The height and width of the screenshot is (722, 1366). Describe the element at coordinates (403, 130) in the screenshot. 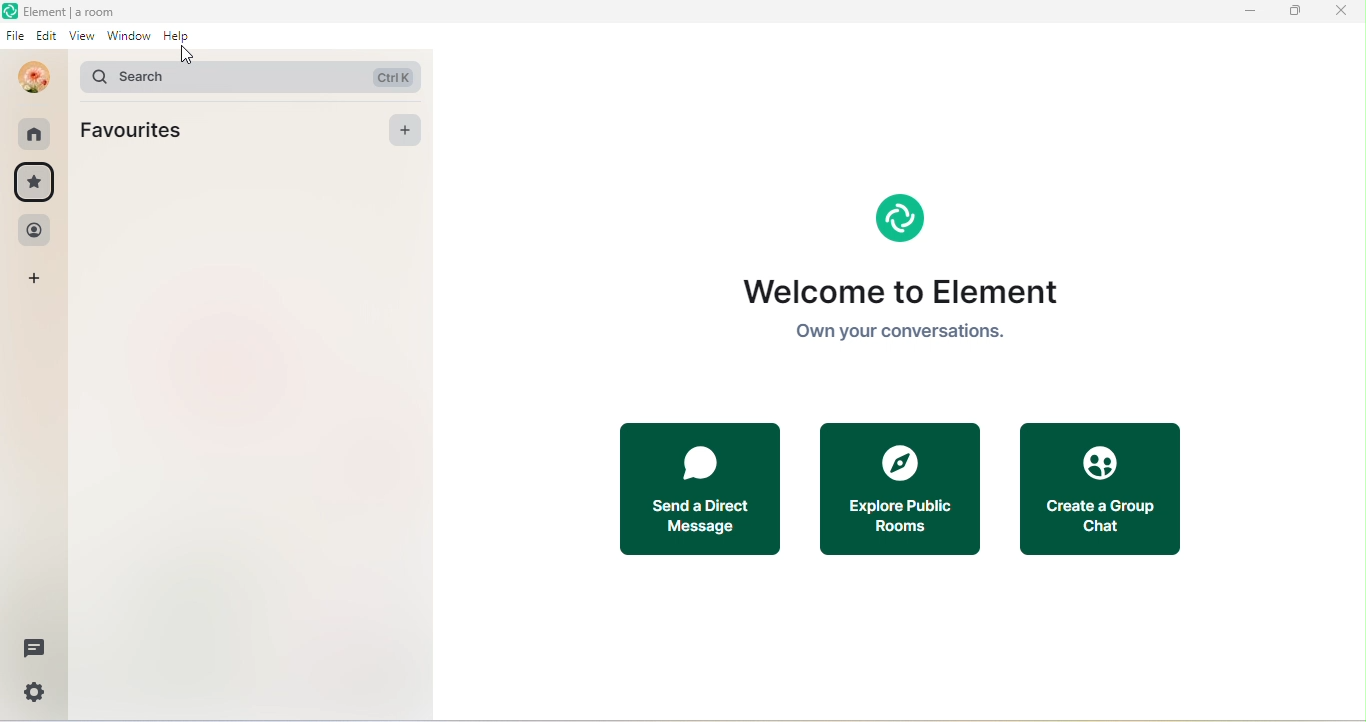

I see `add` at that location.